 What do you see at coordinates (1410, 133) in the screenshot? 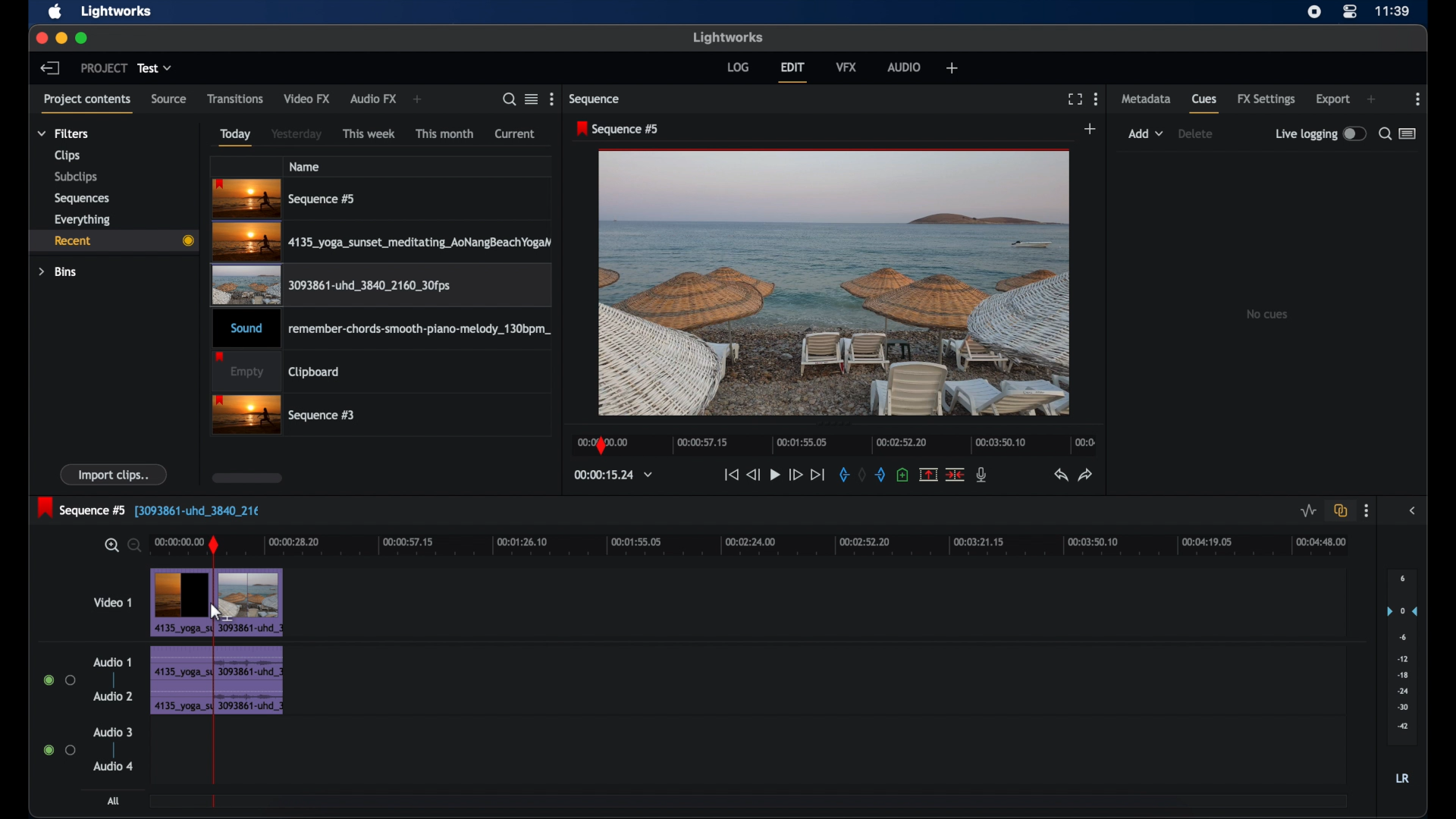
I see `toggle list or logger view` at bounding box center [1410, 133].